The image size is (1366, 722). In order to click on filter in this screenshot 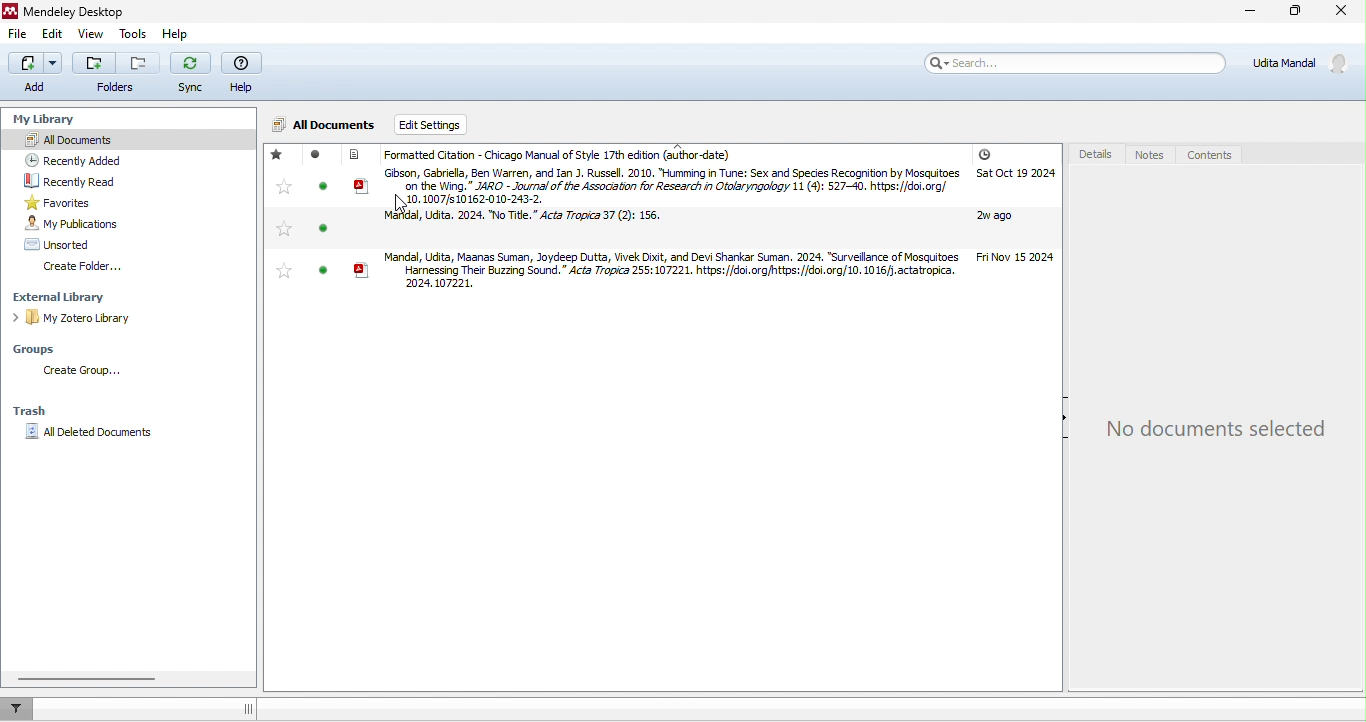, I will do `click(22, 709)`.